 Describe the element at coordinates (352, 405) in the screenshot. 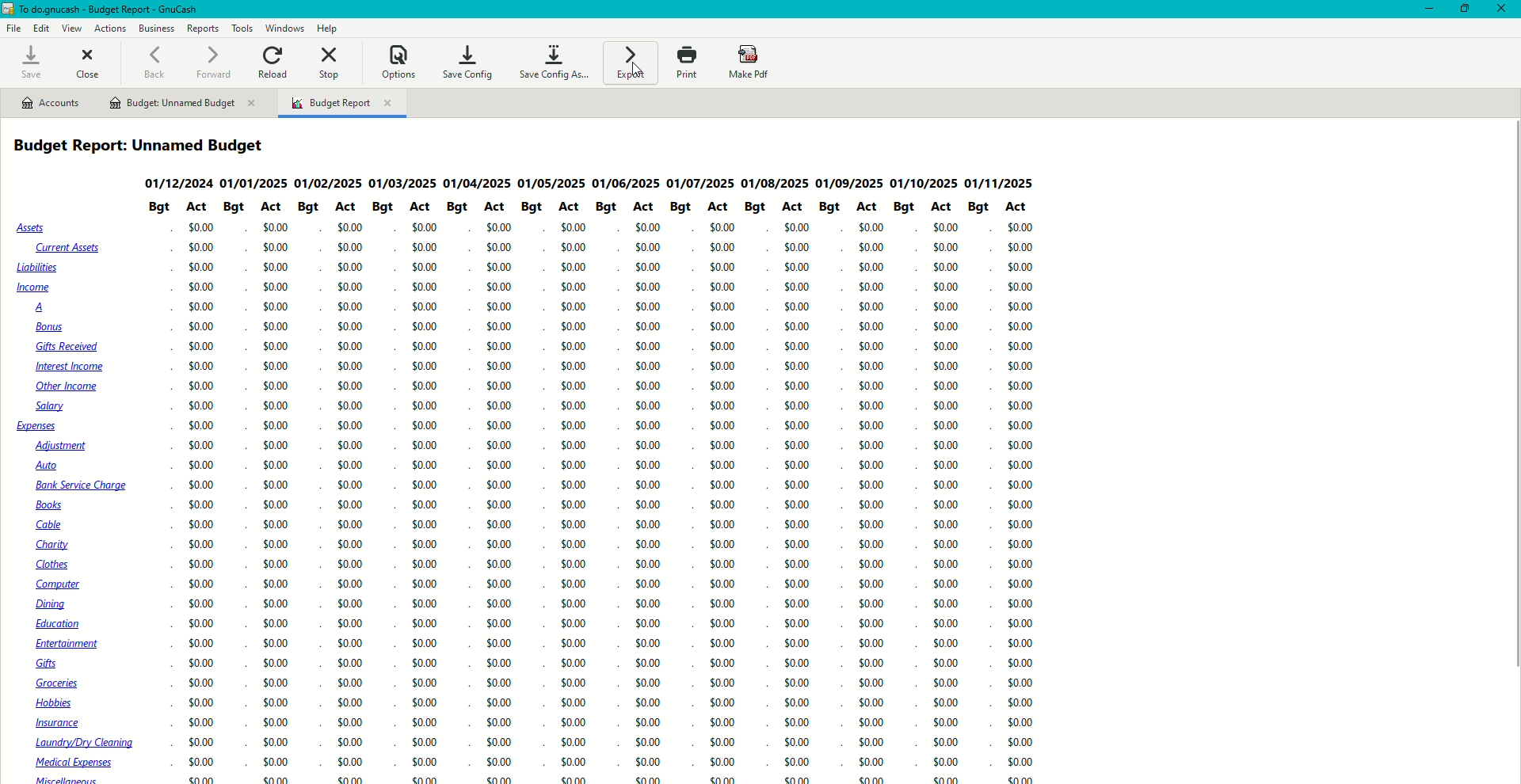

I see `$0.00` at that location.